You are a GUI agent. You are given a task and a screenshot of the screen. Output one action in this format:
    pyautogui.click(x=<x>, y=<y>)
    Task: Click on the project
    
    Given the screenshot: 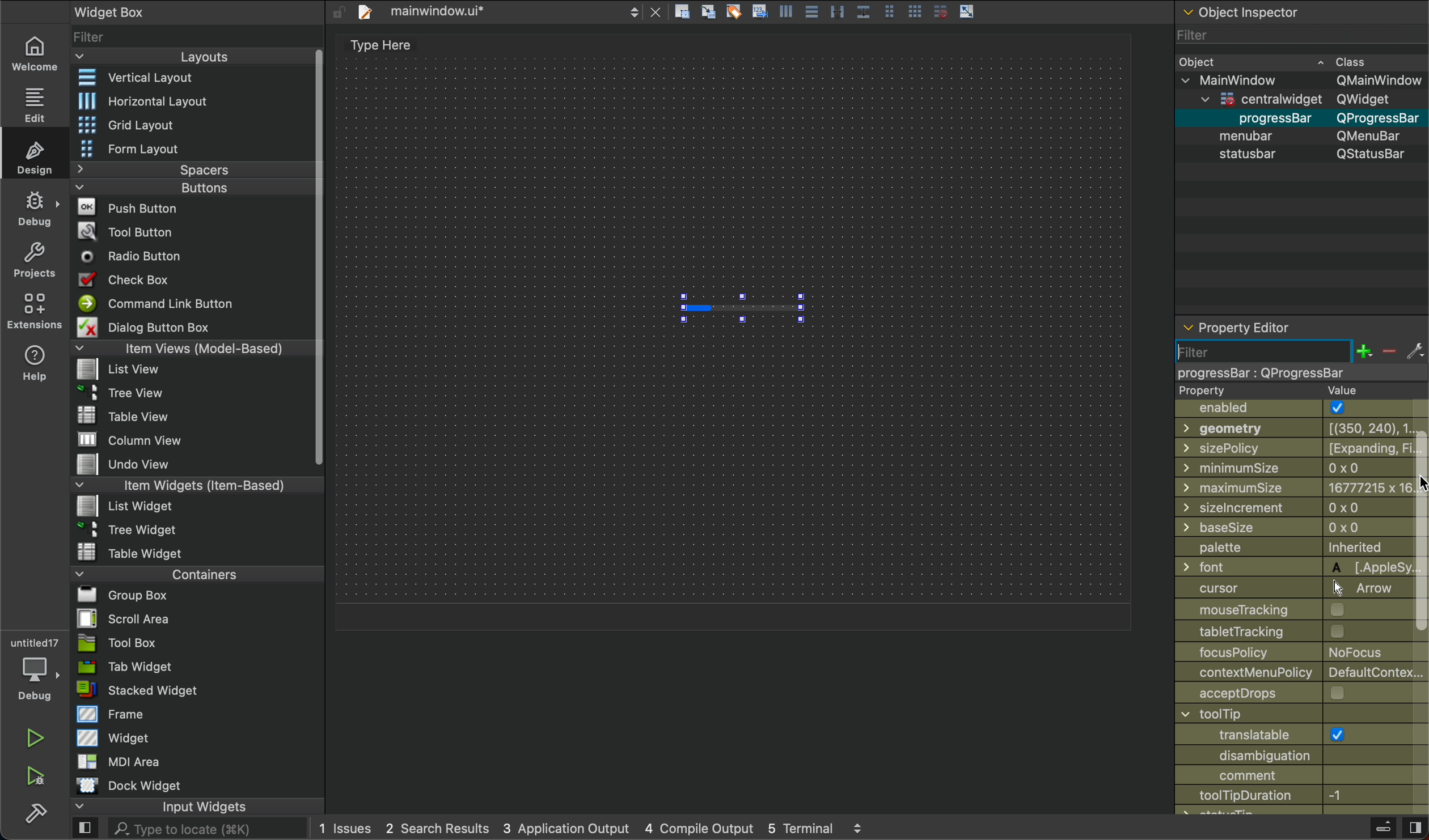 What is the action you would take?
    pyautogui.click(x=36, y=260)
    